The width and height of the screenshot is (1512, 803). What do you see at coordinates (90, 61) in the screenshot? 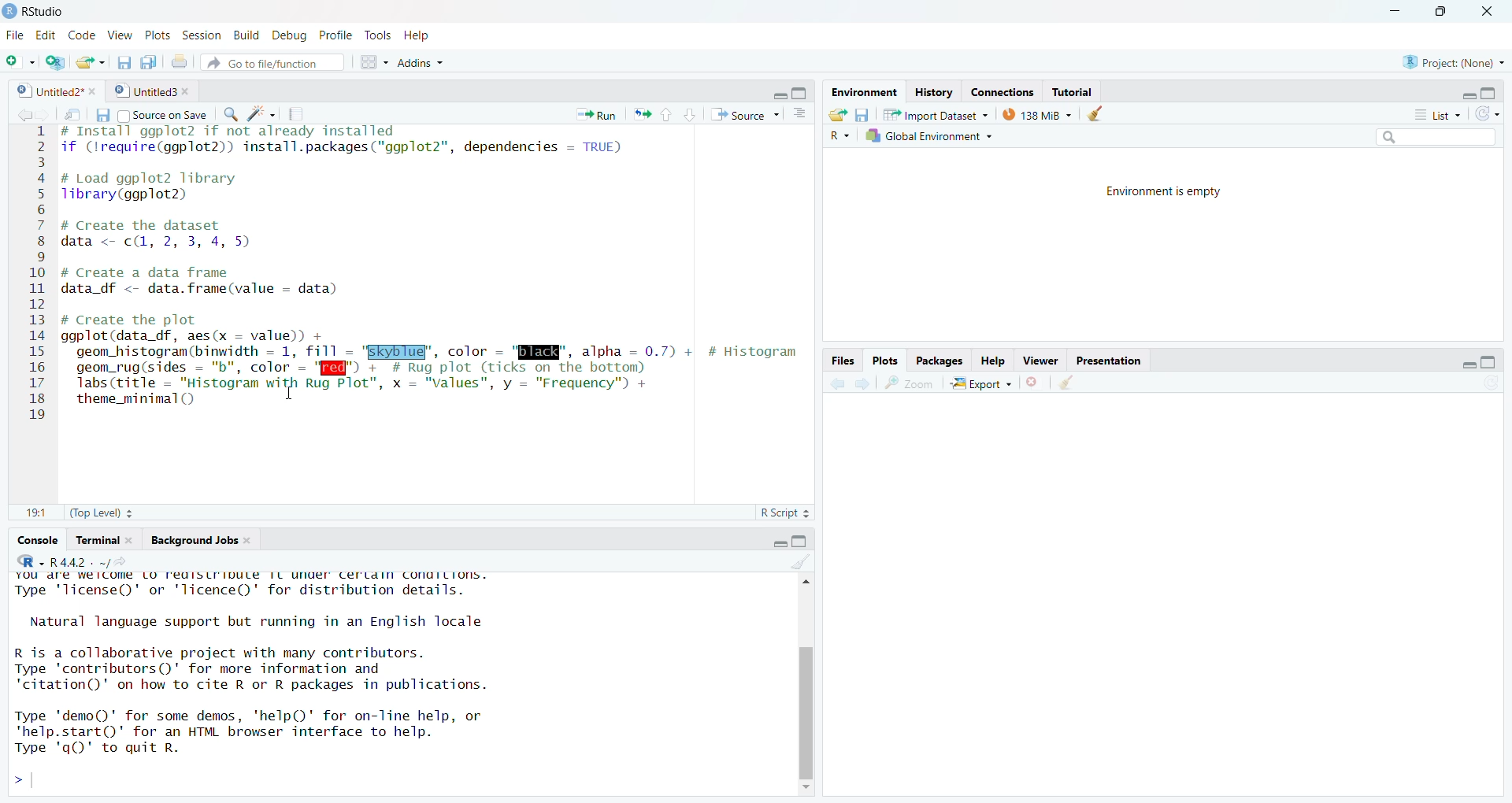
I see `Open file` at bounding box center [90, 61].